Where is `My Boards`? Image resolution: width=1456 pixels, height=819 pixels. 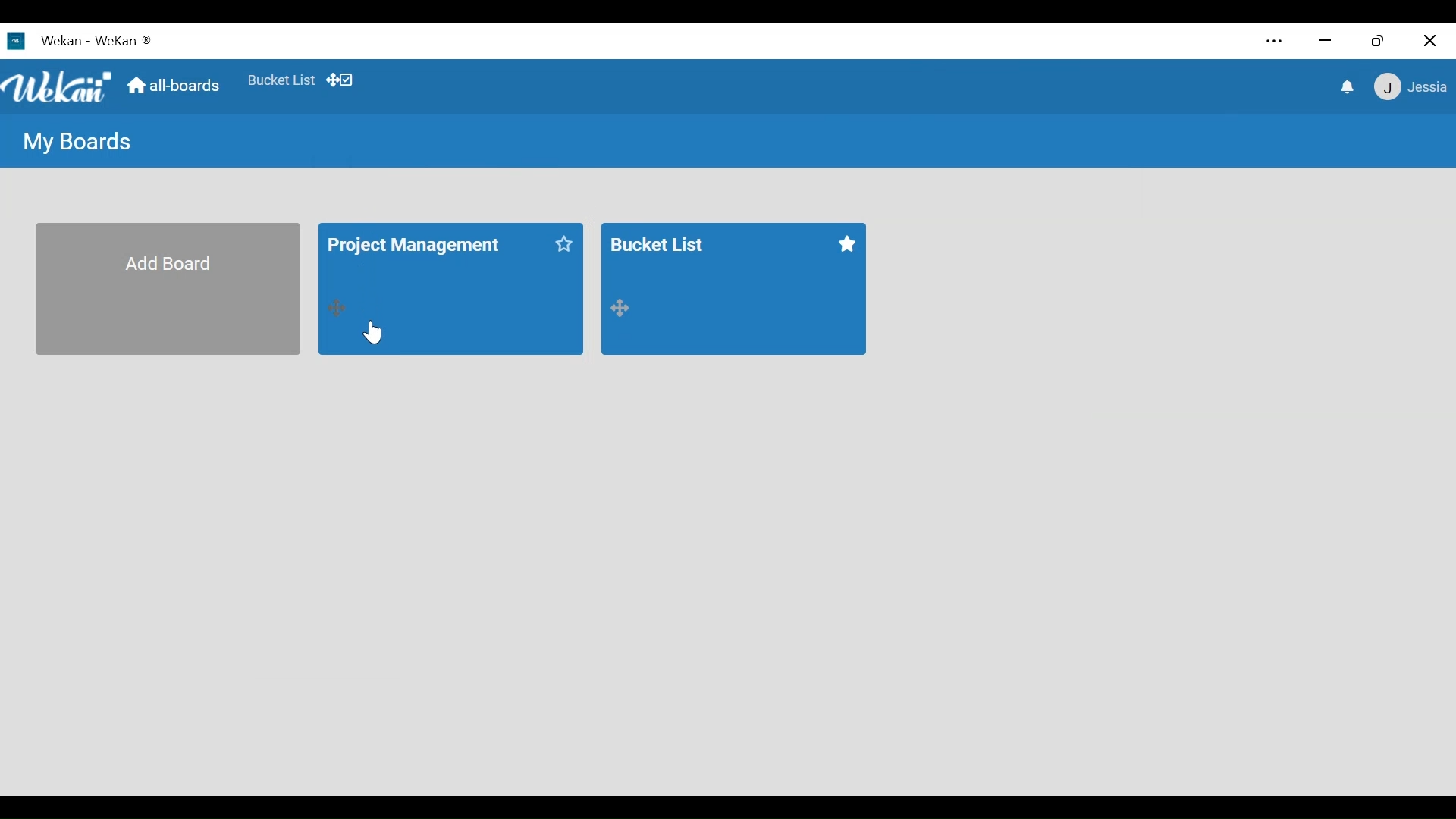 My Boards is located at coordinates (81, 140).